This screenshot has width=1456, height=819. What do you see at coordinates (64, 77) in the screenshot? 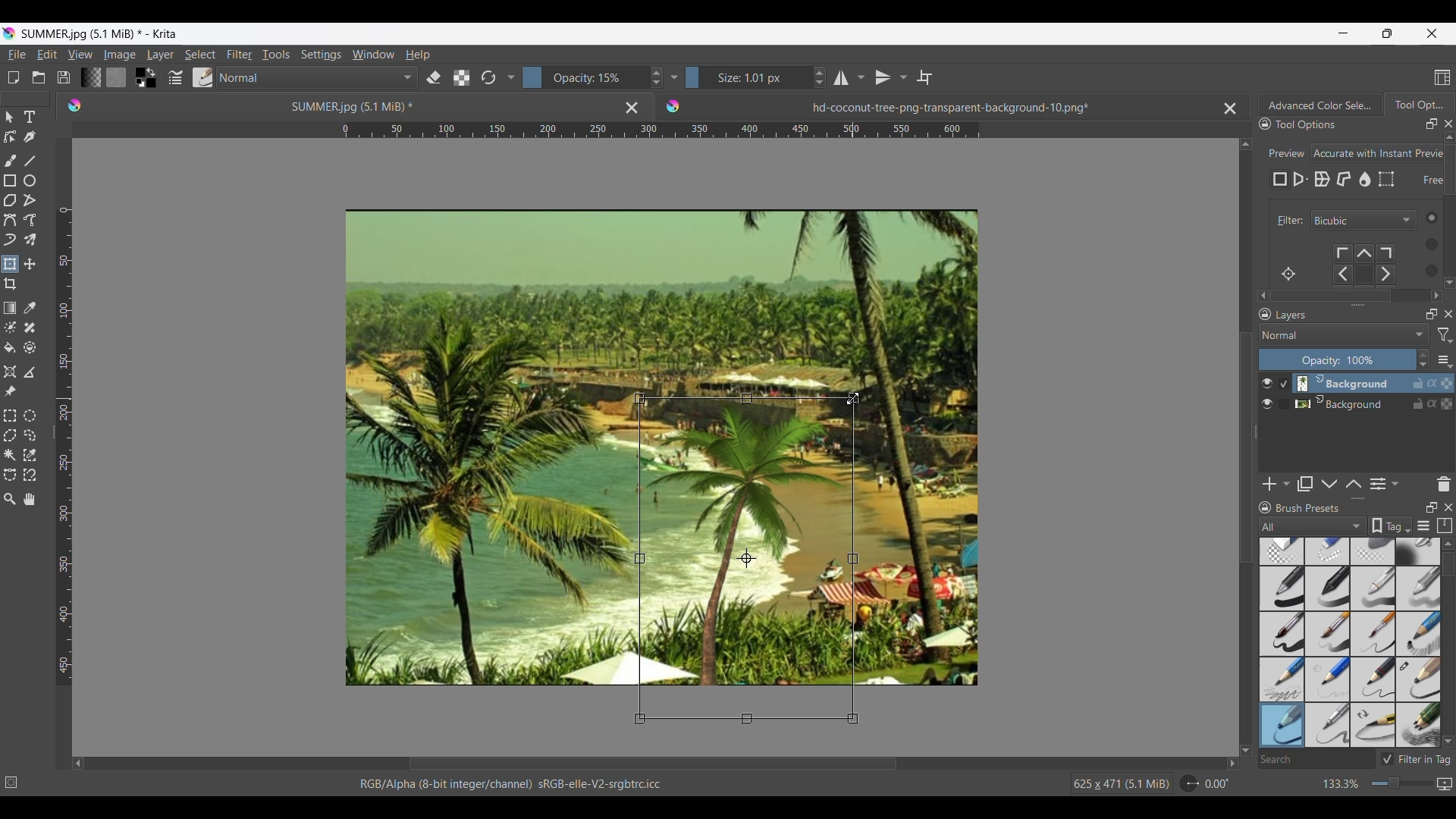
I see `Save` at bounding box center [64, 77].